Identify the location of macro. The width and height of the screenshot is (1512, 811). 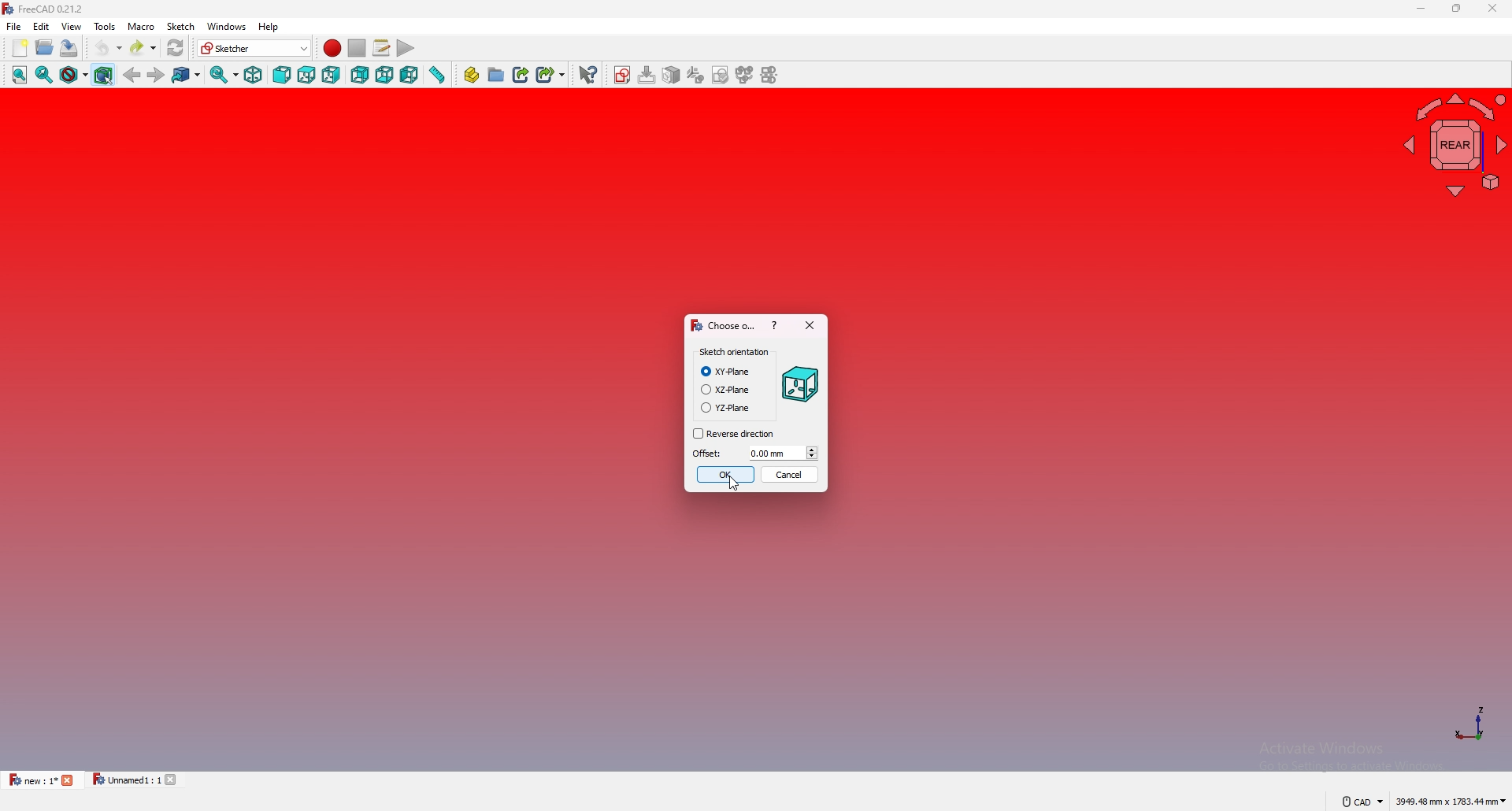
(140, 25).